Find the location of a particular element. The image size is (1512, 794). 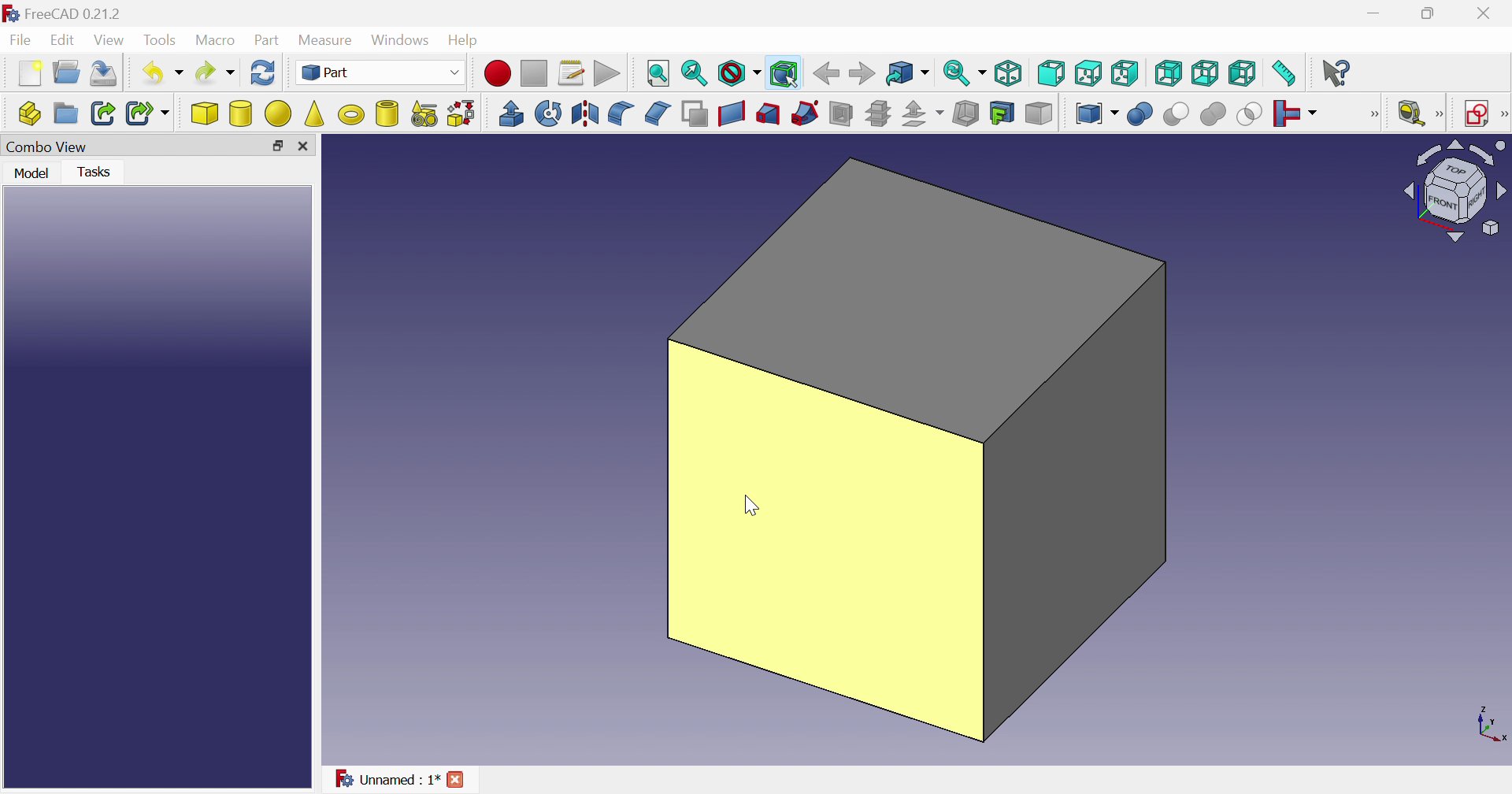

Make link is located at coordinates (105, 113).